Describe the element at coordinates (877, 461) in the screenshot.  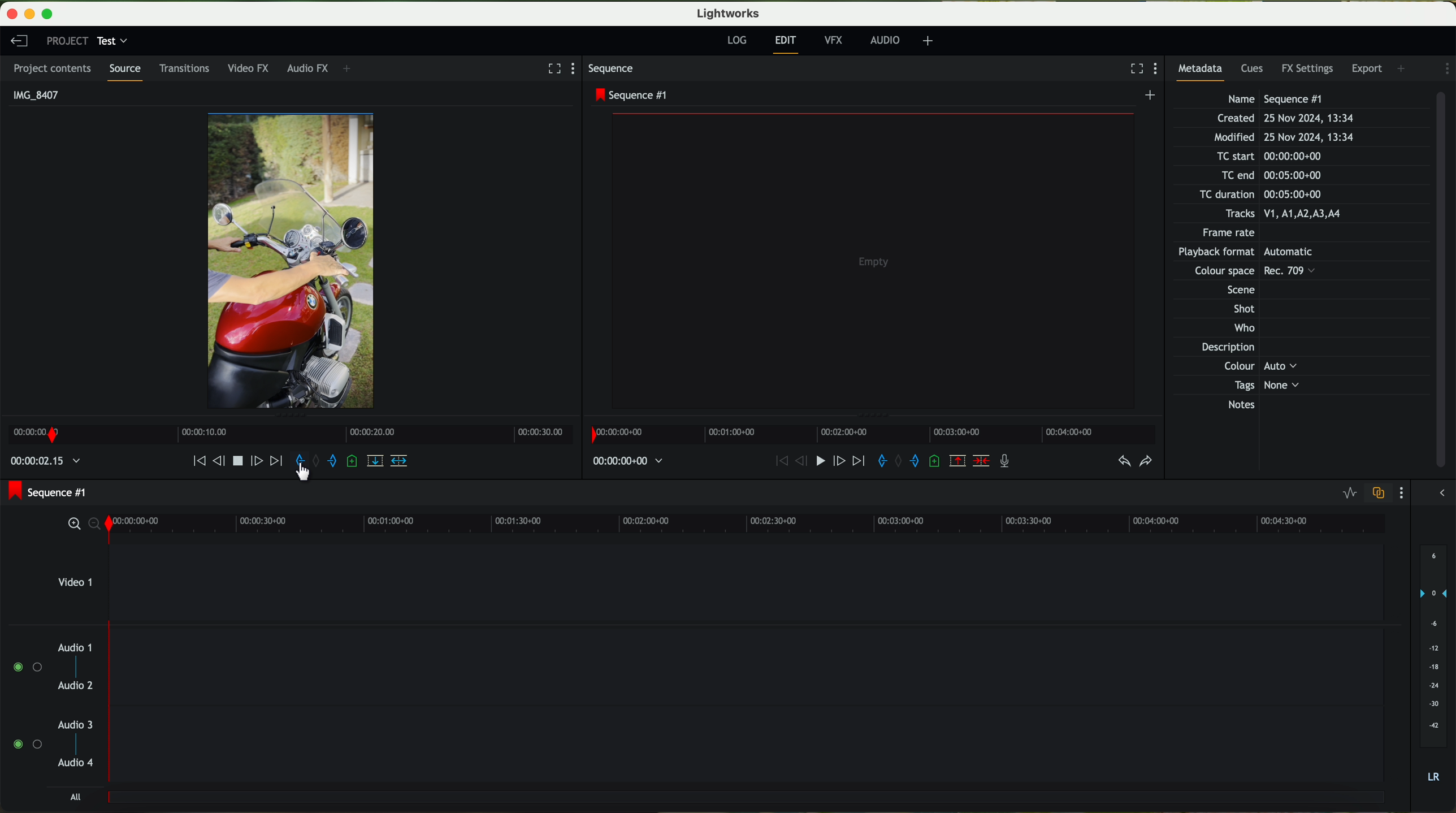
I see `add an in mark` at that location.